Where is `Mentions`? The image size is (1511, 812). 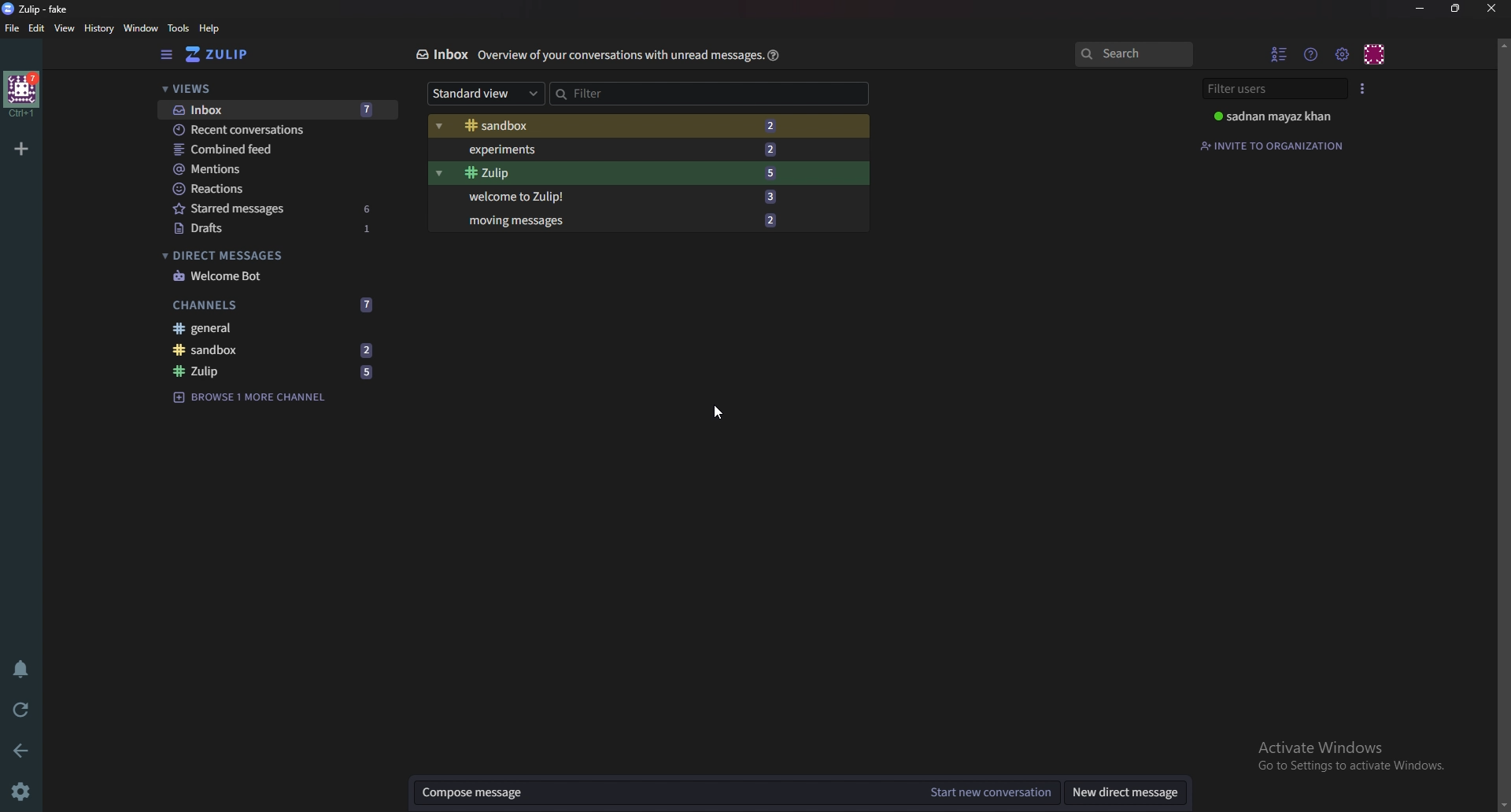
Mentions is located at coordinates (273, 168).